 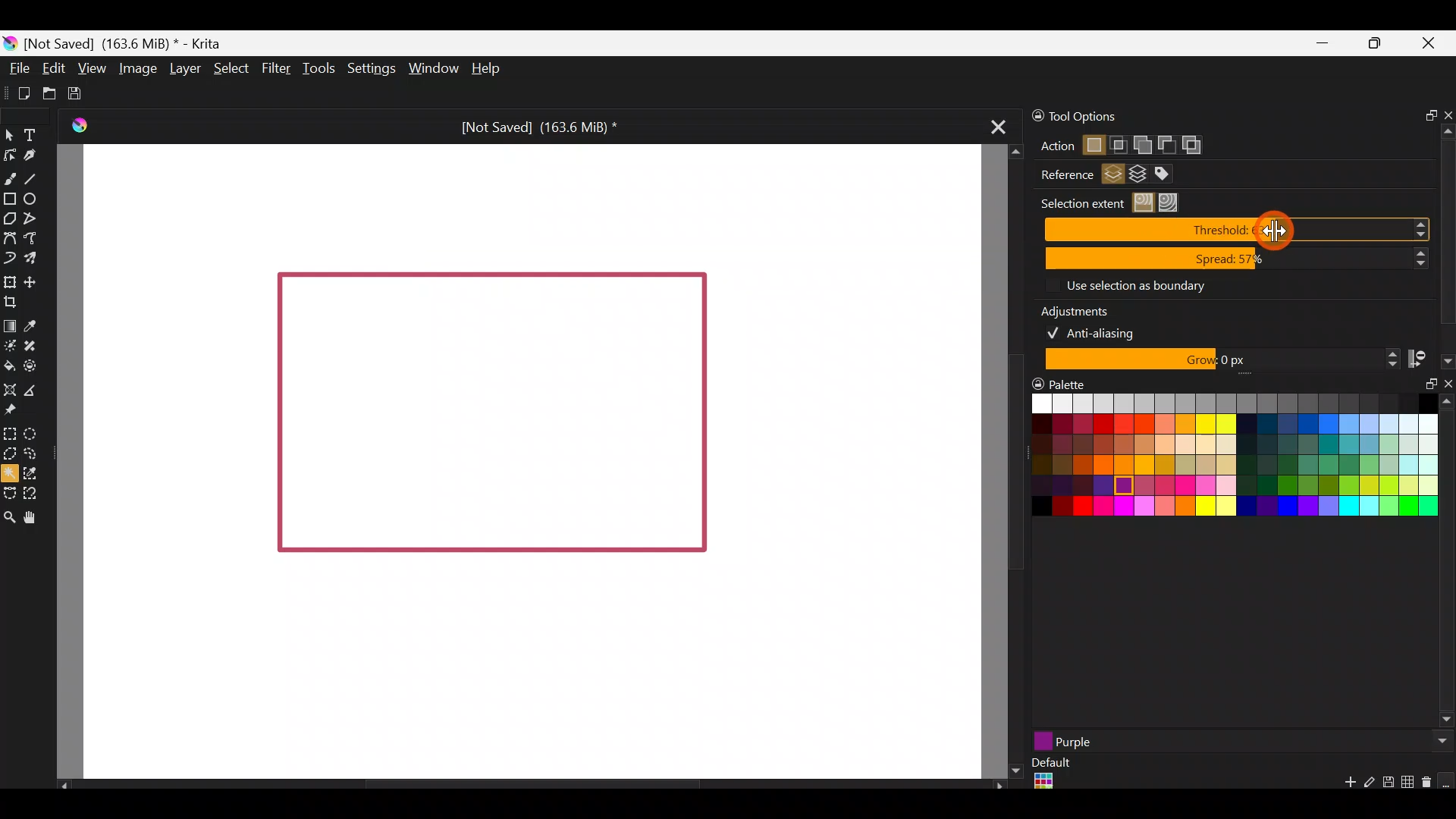 I want to click on Edit current palette, so click(x=1410, y=784).